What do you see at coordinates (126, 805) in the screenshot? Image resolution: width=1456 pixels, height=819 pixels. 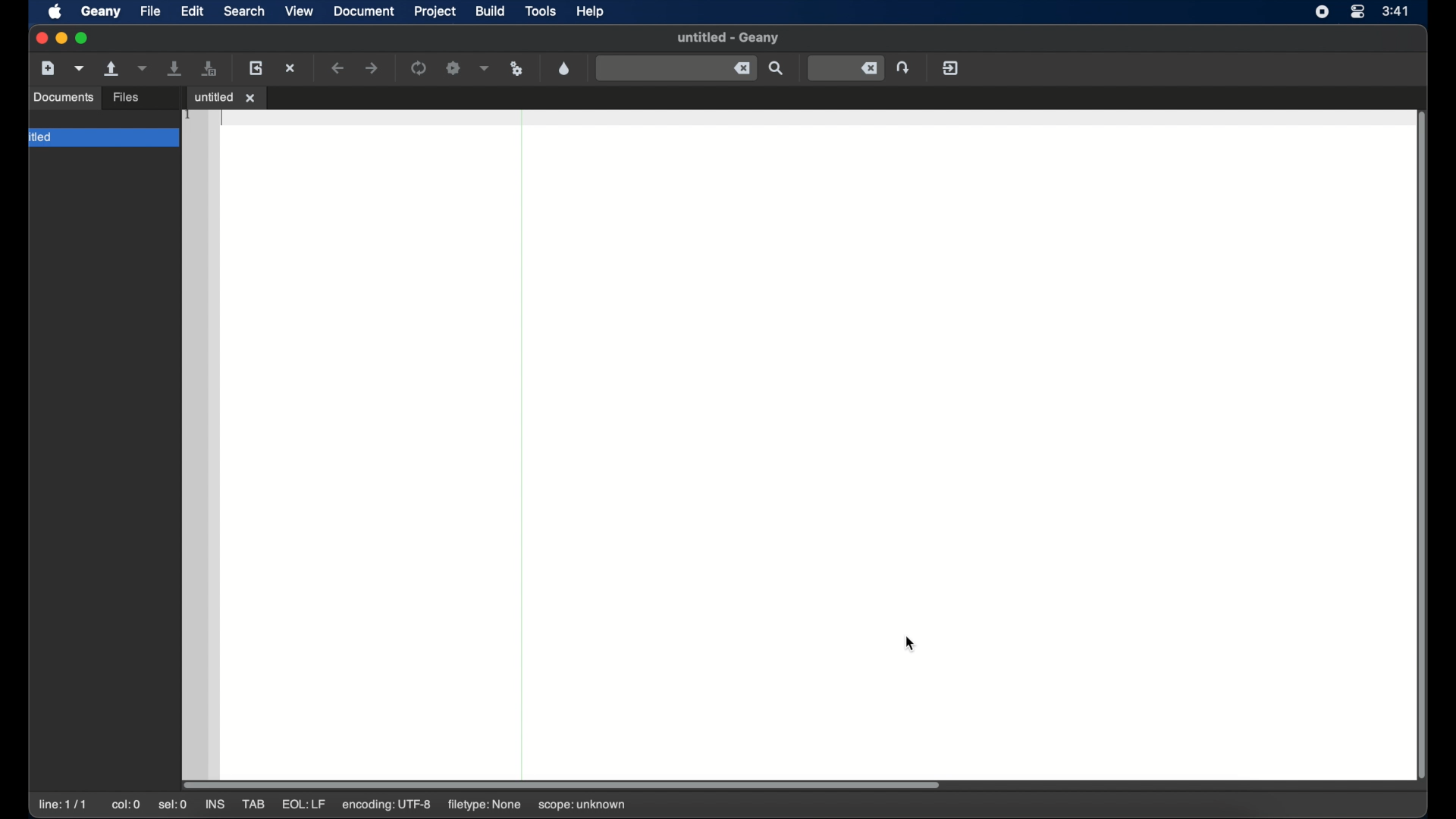 I see `col: 0` at bounding box center [126, 805].